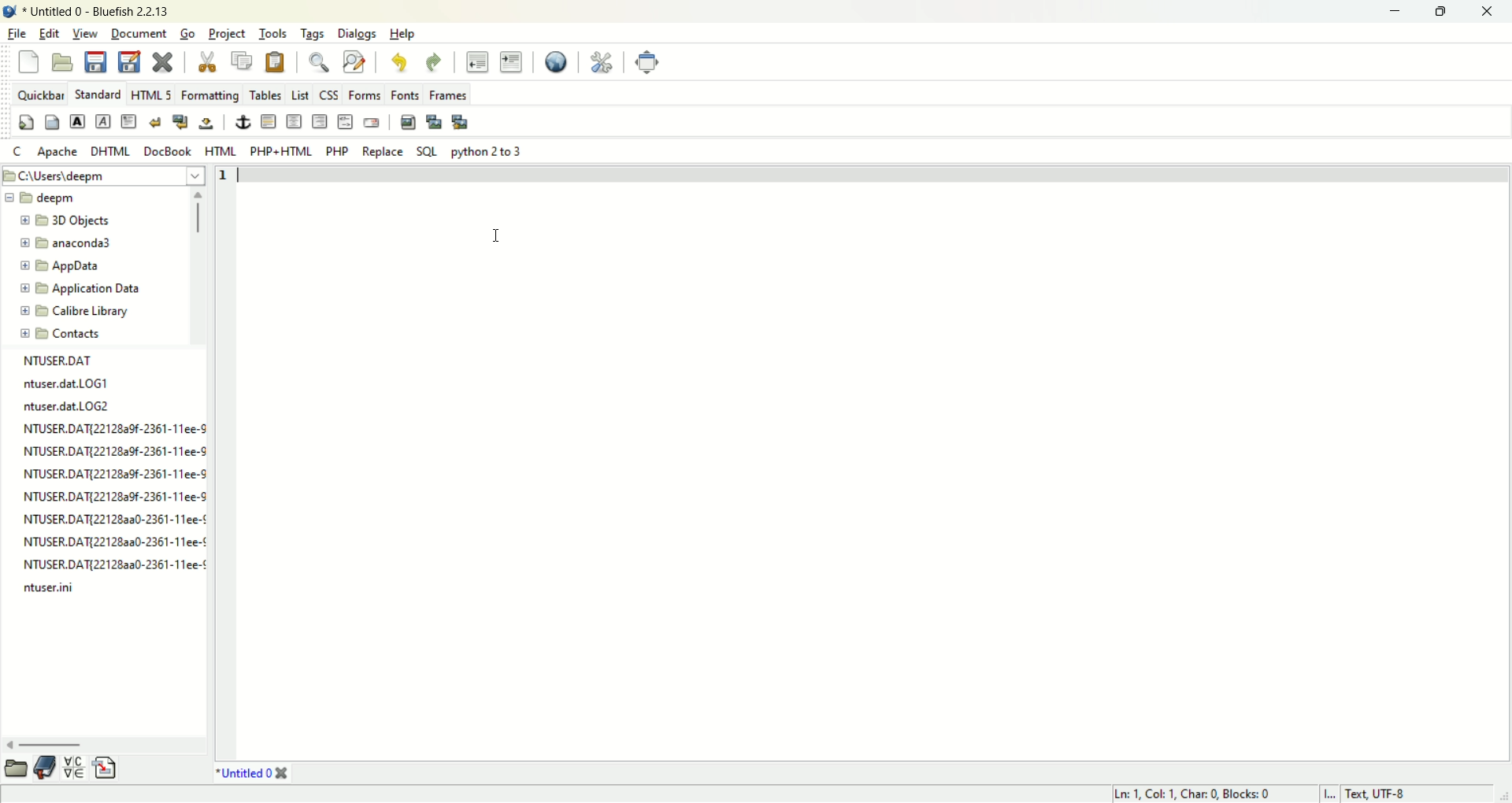 Image resolution: width=1512 pixels, height=803 pixels. What do you see at coordinates (206, 123) in the screenshot?
I see `non-breaking space` at bounding box center [206, 123].